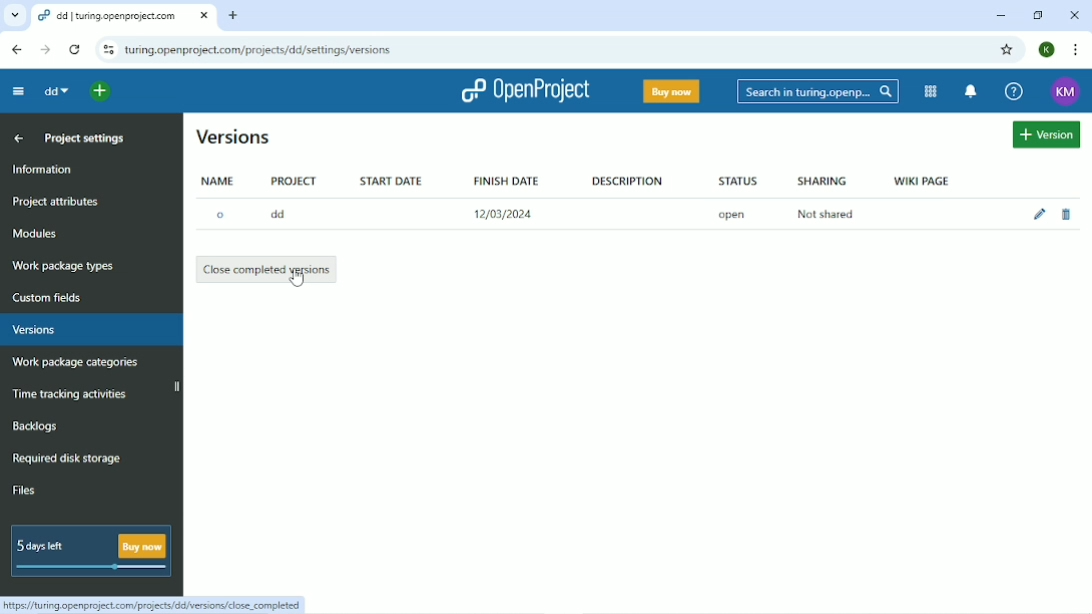 The image size is (1092, 614). What do you see at coordinates (73, 48) in the screenshot?
I see `reload` at bounding box center [73, 48].